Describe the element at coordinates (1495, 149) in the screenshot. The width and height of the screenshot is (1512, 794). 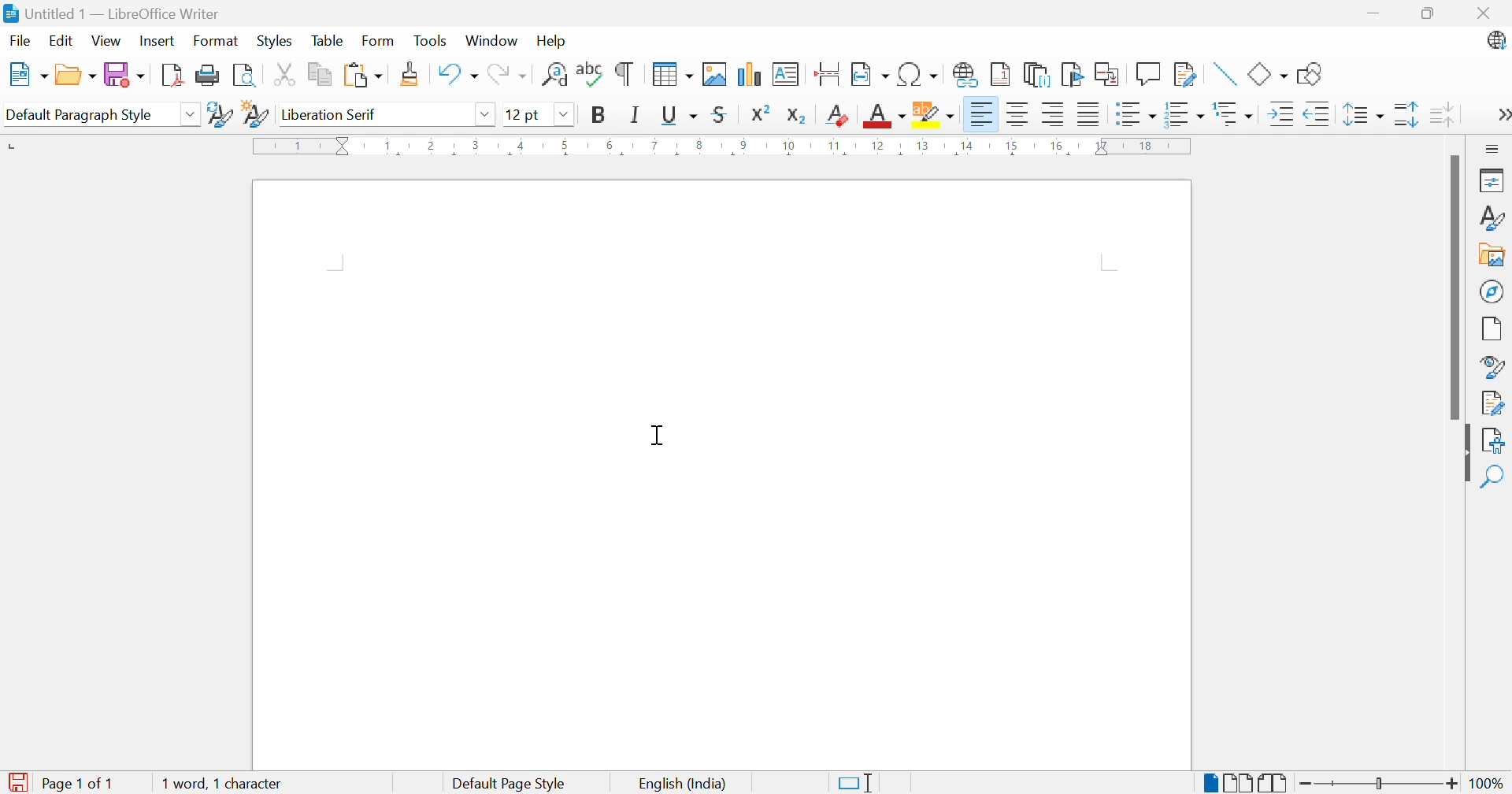
I see `Sidebar settings` at that location.